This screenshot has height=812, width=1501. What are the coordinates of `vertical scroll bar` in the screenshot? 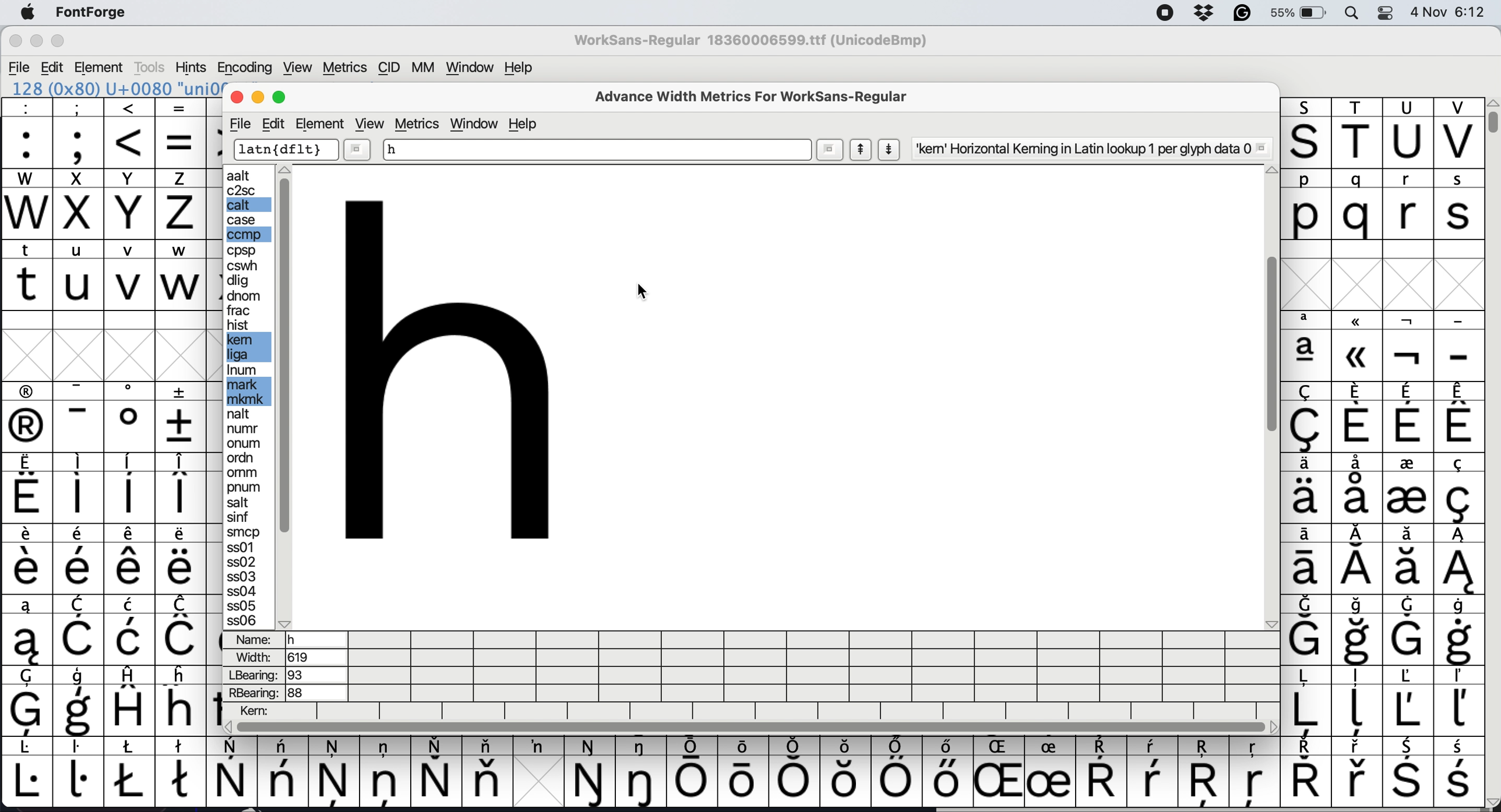 It's located at (1274, 342).